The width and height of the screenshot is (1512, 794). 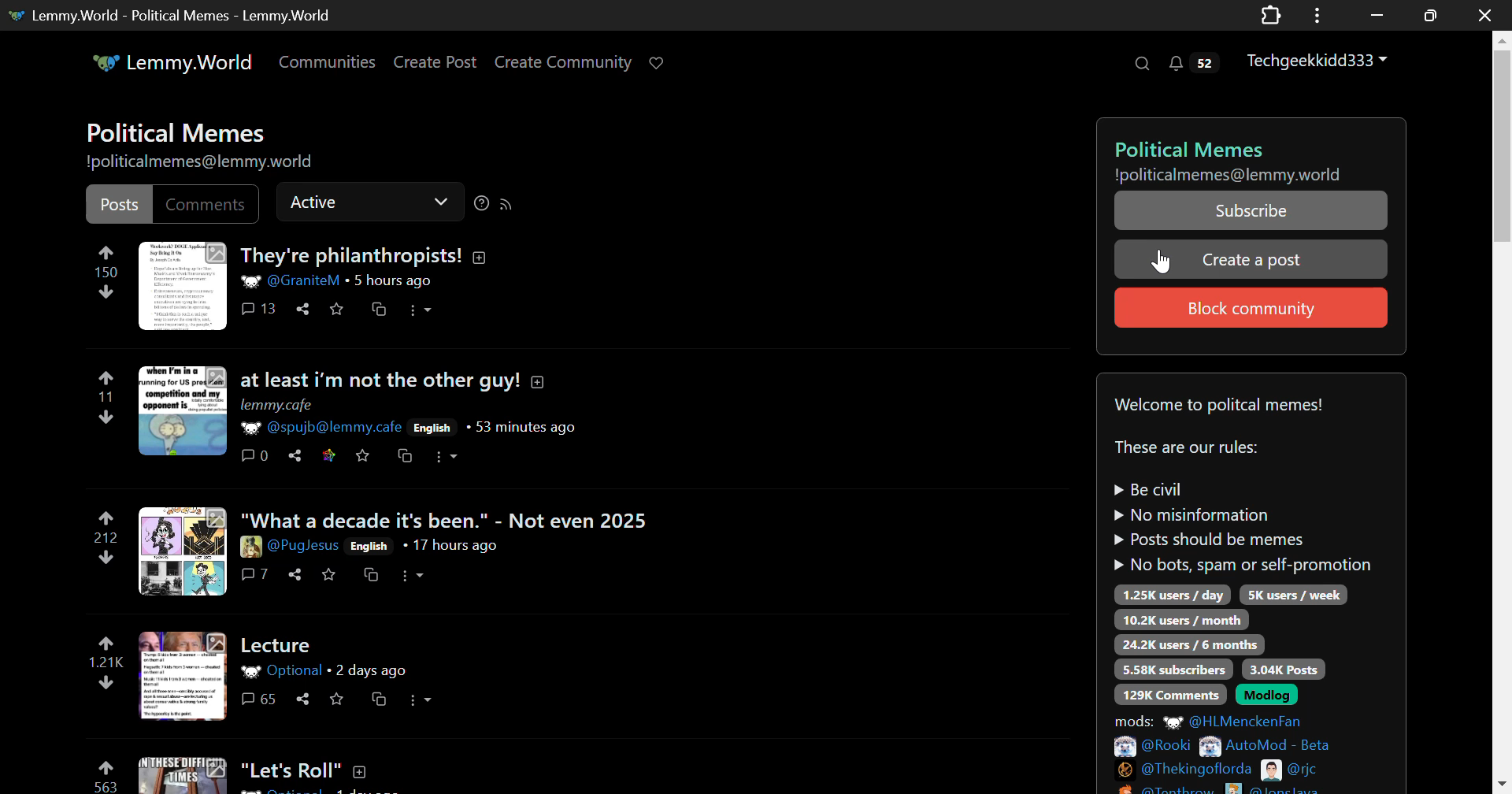 What do you see at coordinates (361, 455) in the screenshot?
I see `Save` at bounding box center [361, 455].